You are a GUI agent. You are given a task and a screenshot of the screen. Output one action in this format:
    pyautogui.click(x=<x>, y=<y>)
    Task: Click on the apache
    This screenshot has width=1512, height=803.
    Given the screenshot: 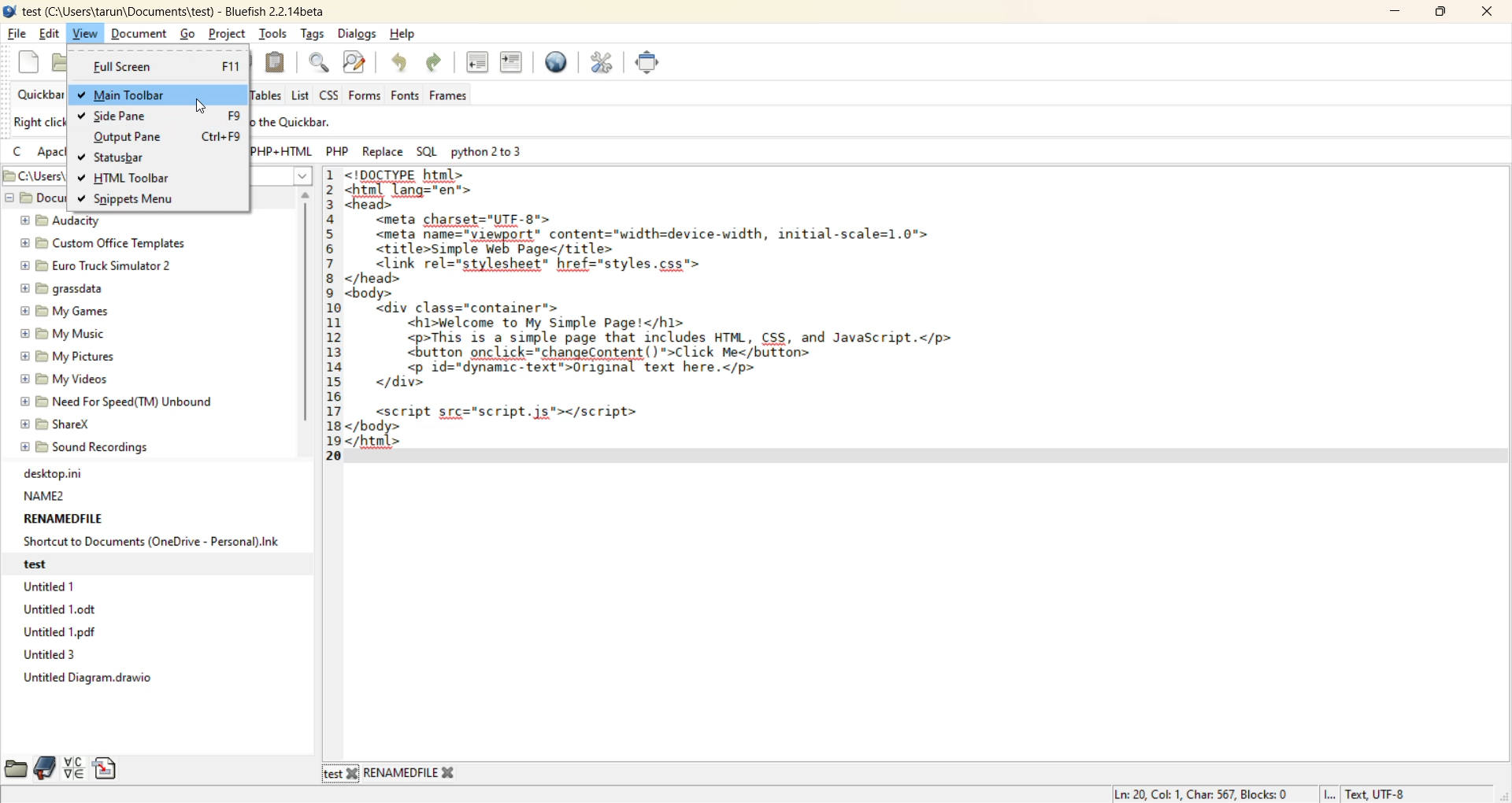 What is the action you would take?
    pyautogui.click(x=52, y=154)
    